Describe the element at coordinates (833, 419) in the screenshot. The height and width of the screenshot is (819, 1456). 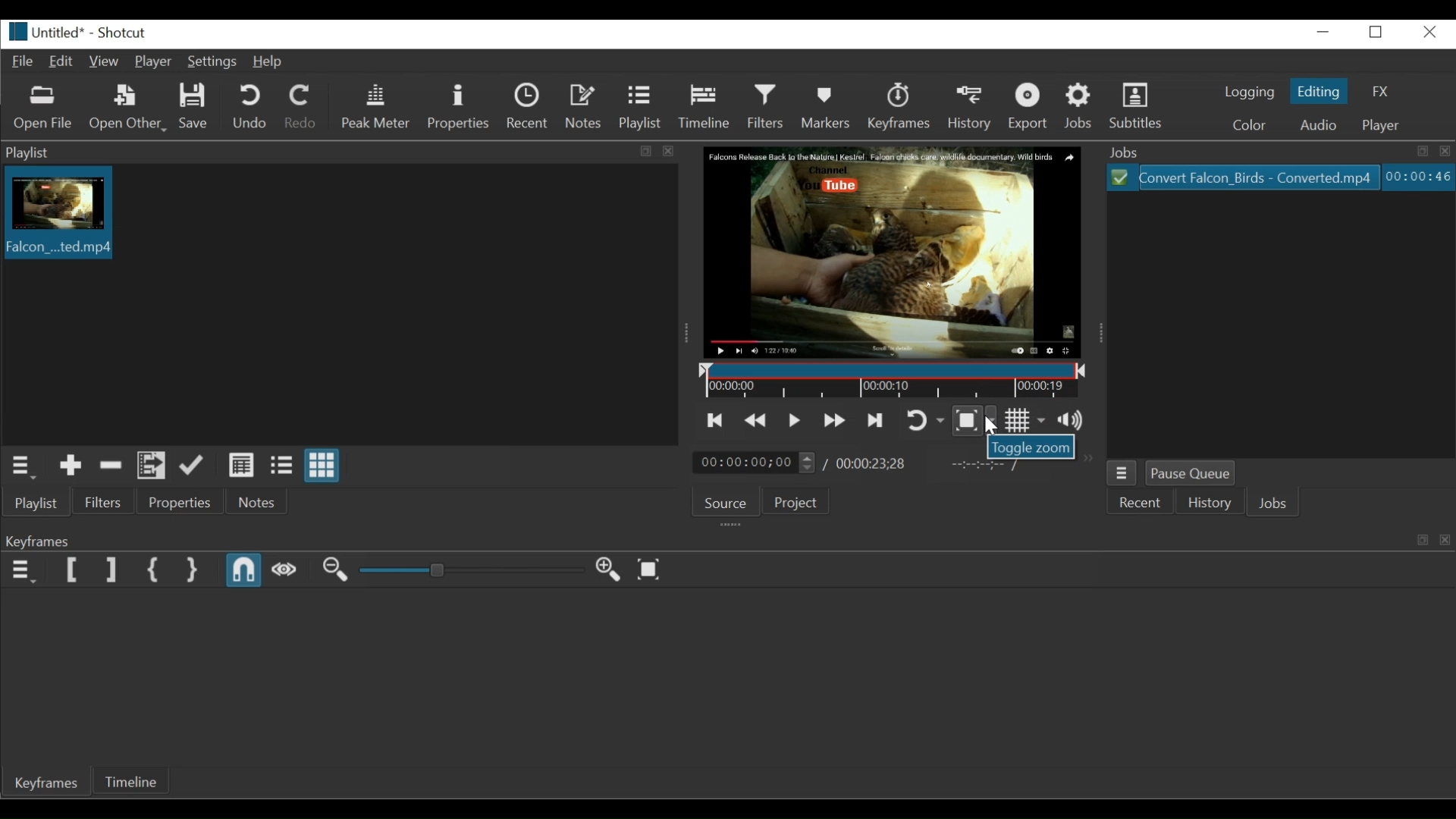
I see `Play quickly forward` at that location.